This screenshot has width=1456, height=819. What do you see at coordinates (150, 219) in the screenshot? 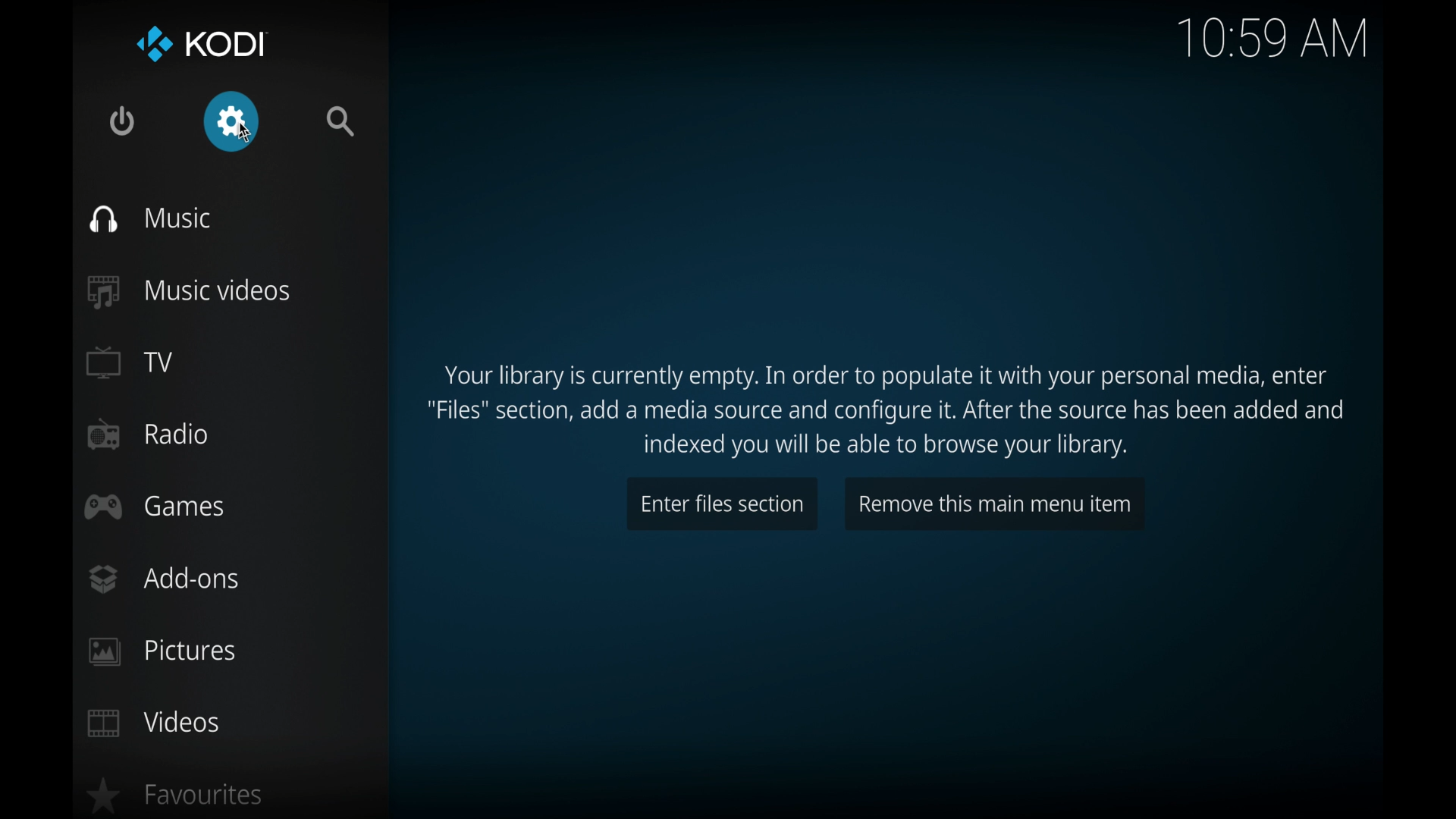
I see `music` at bounding box center [150, 219].